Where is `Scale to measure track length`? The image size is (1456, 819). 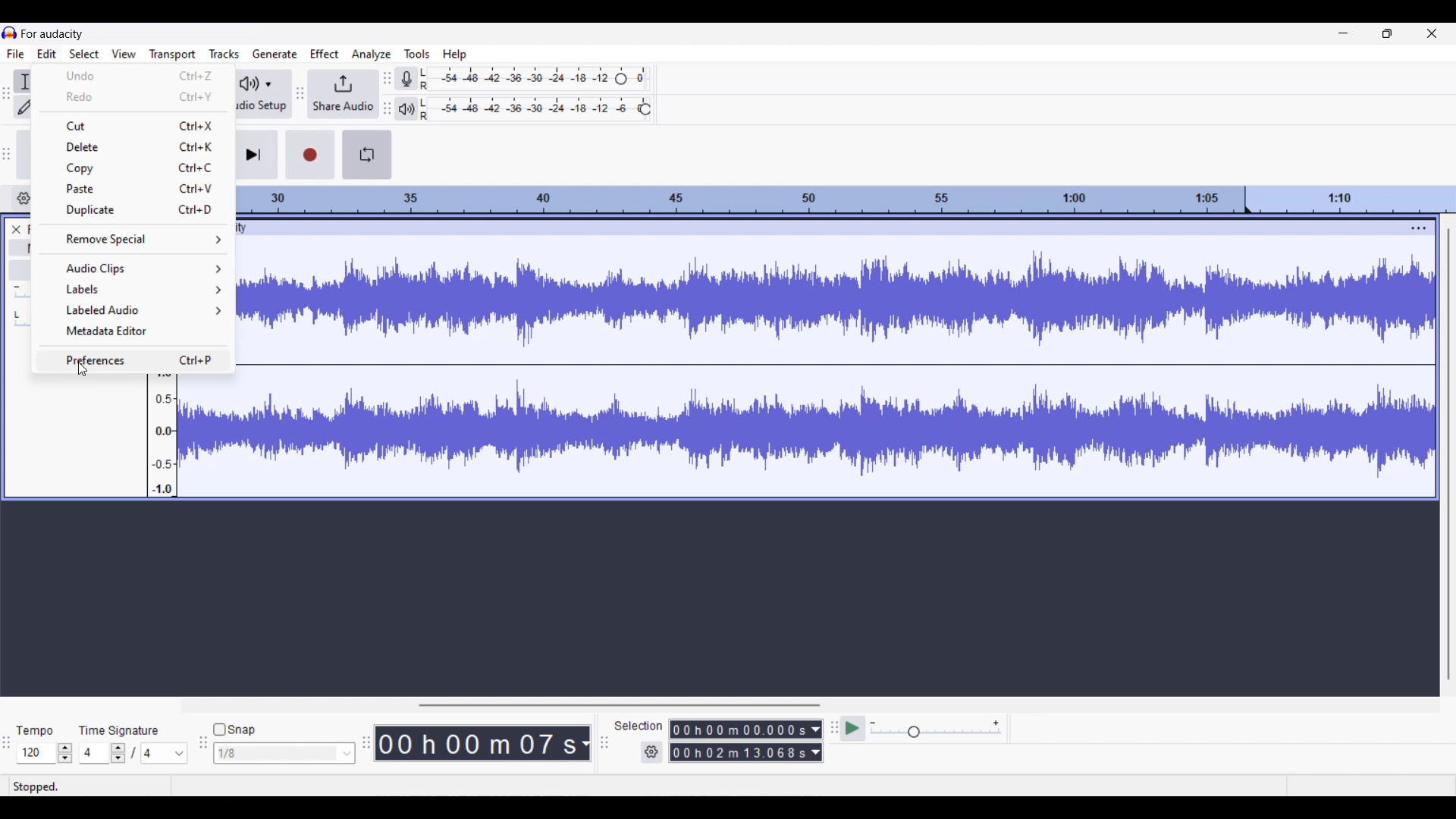 Scale to measure track length is located at coordinates (846, 199).